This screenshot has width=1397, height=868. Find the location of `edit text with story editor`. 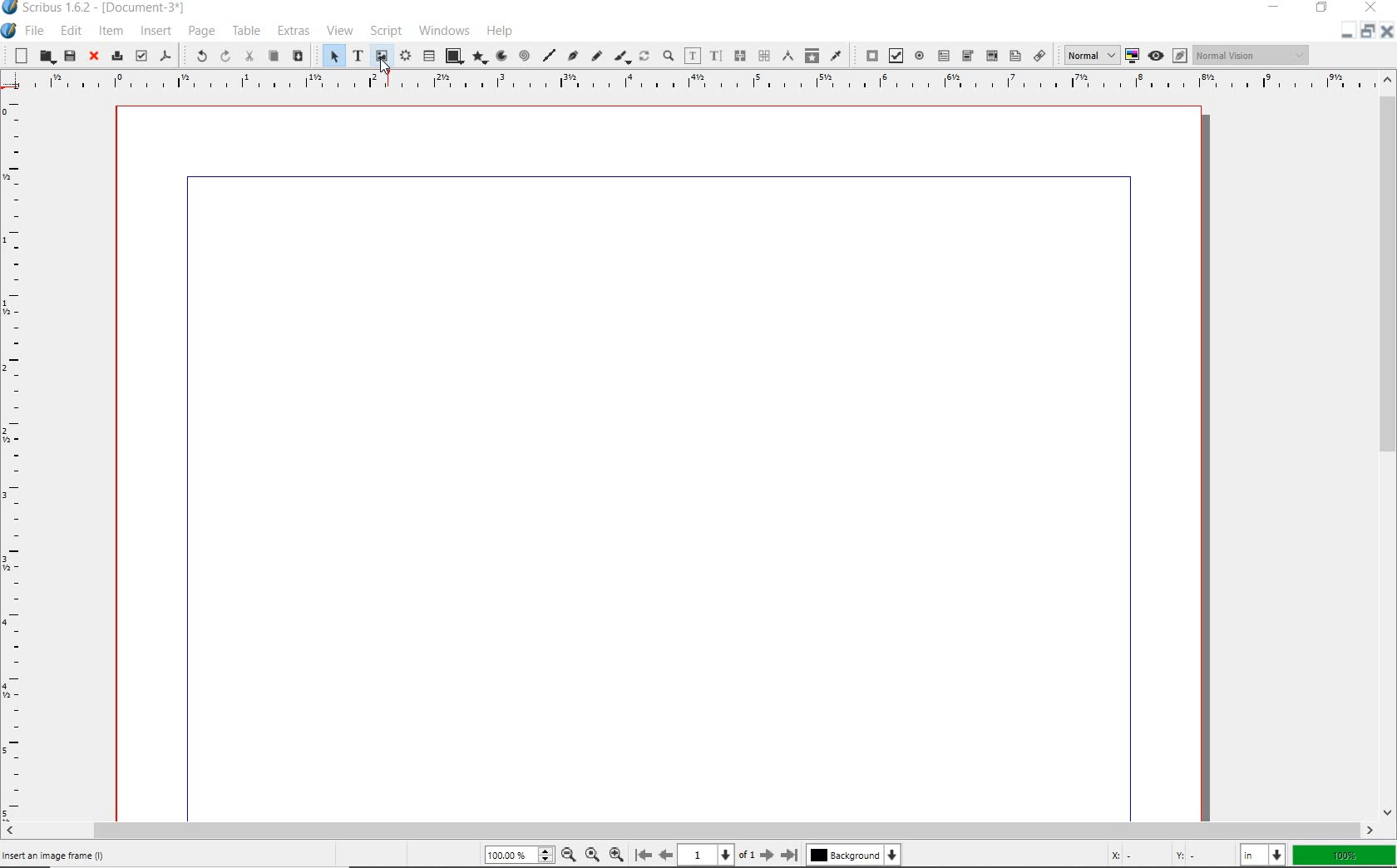

edit text with story editor is located at coordinates (714, 55).